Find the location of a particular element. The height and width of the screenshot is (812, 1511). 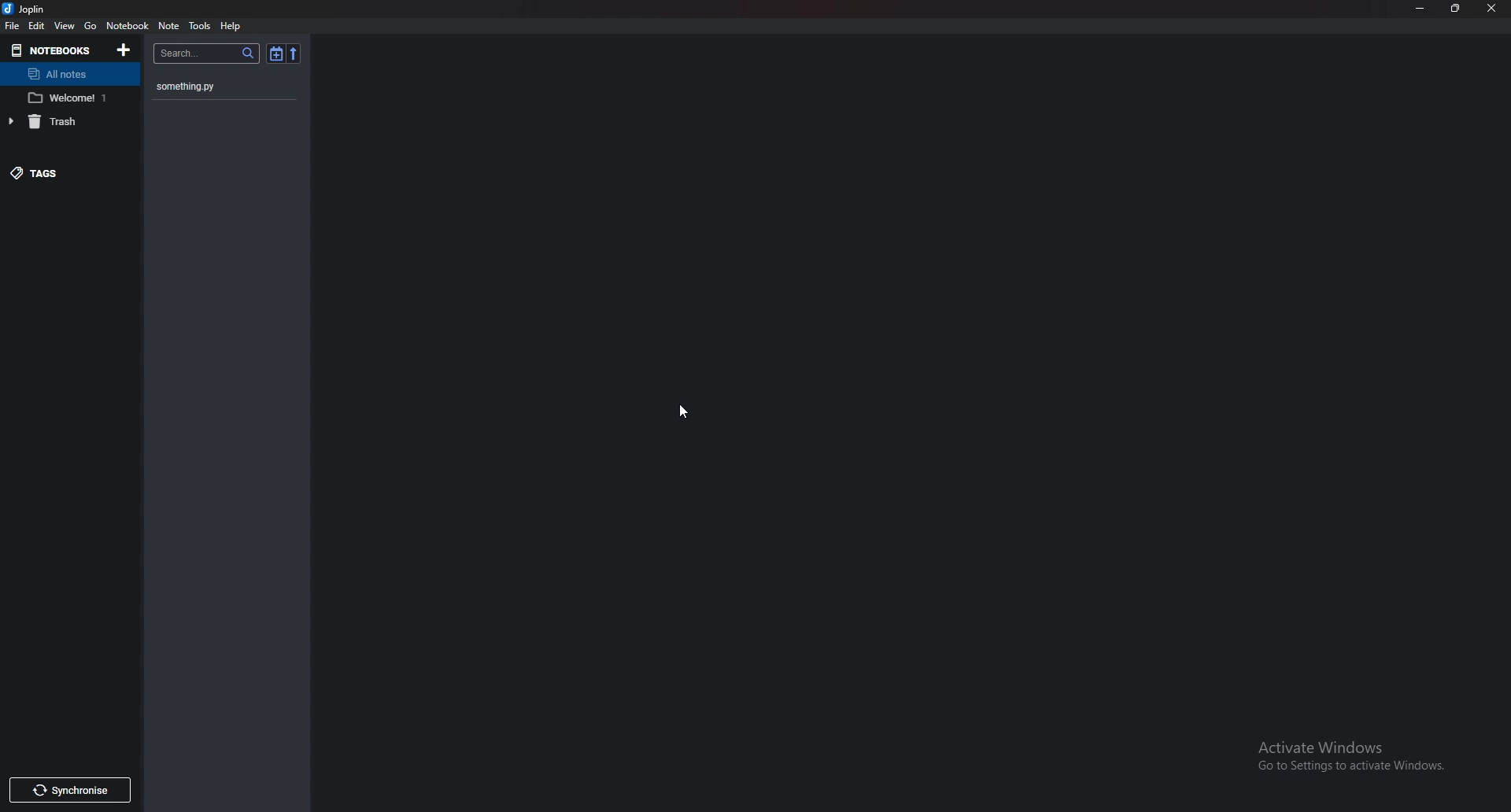

Toggle sort order is located at coordinates (274, 53).